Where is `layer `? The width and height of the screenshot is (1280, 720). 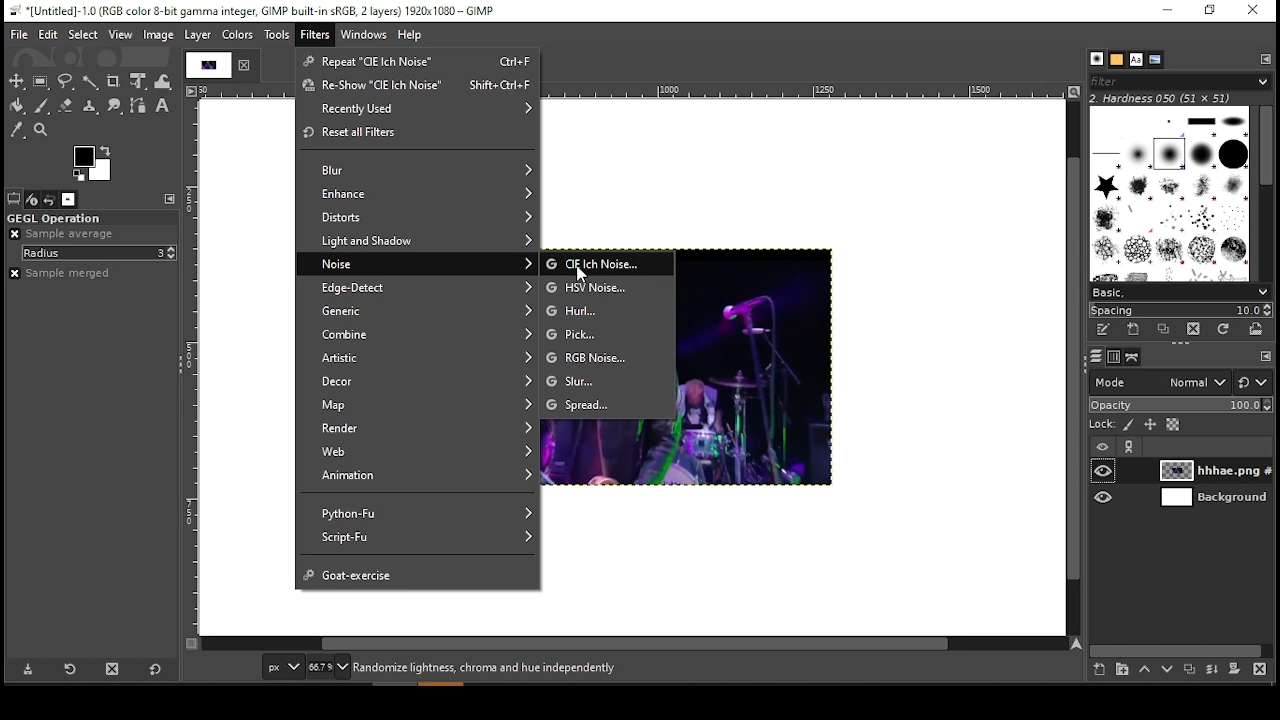
layer  is located at coordinates (1203, 471).